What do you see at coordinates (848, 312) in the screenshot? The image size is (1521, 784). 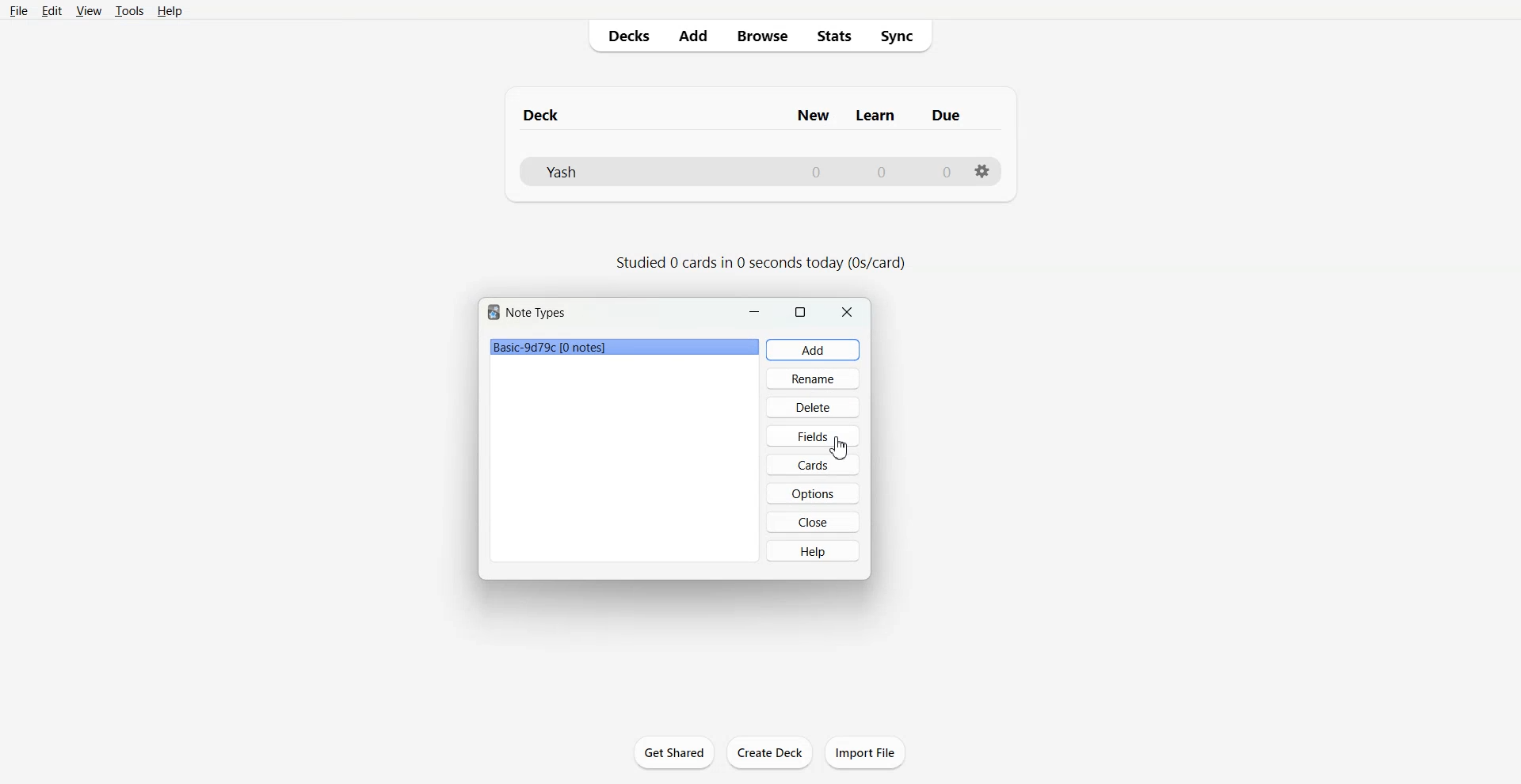 I see `Close` at bounding box center [848, 312].